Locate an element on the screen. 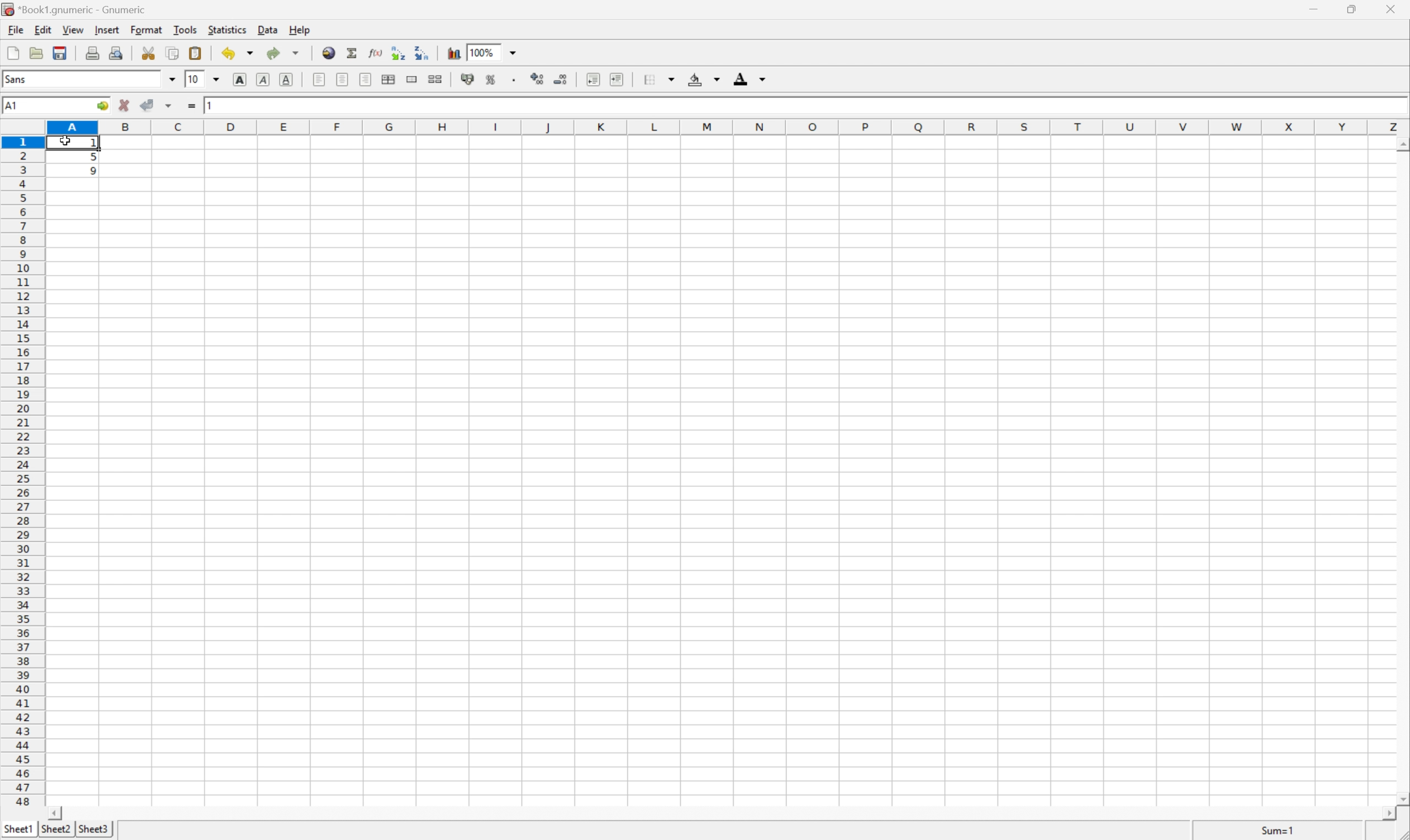 This screenshot has height=840, width=1410. enter formula is located at coordinates (192, 106).